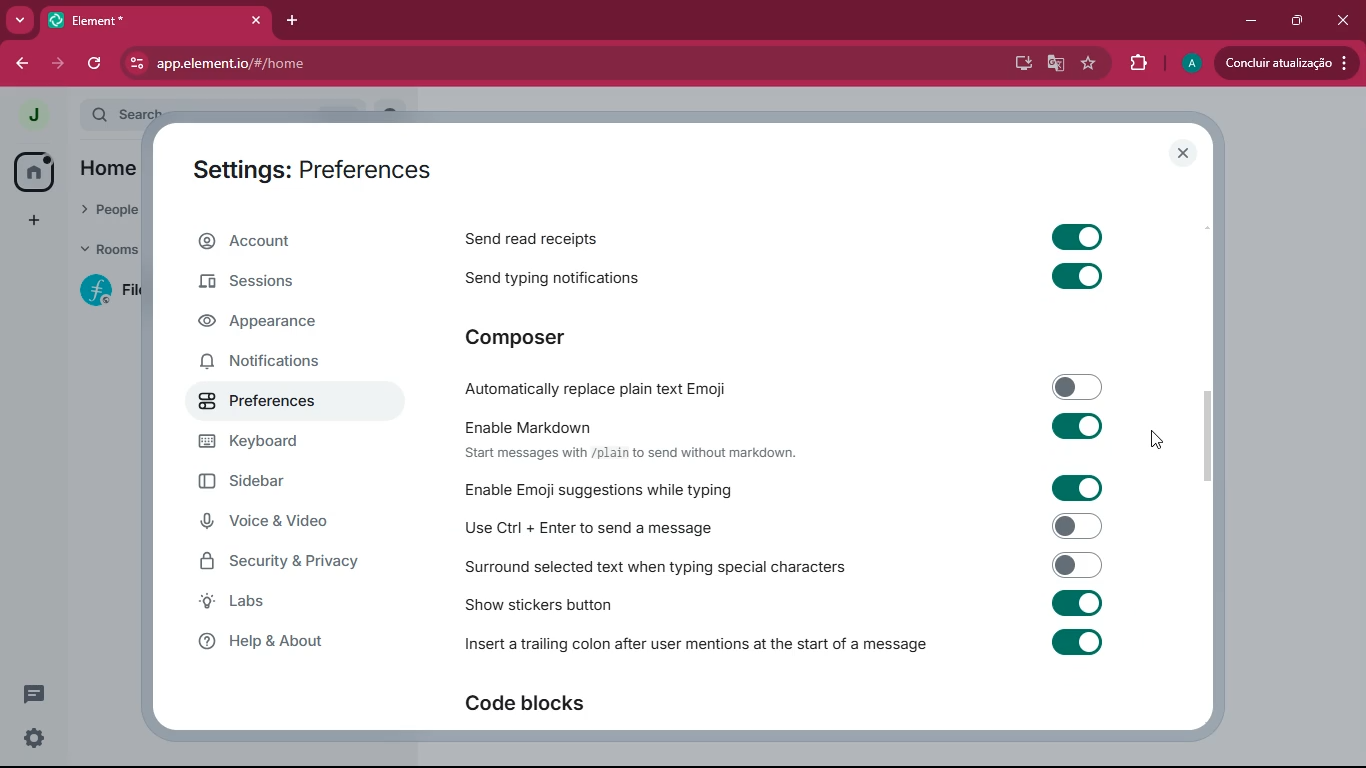  Describe the element at coordinates (596, 389) in the screenshot. I see `automatically replace` at that location.